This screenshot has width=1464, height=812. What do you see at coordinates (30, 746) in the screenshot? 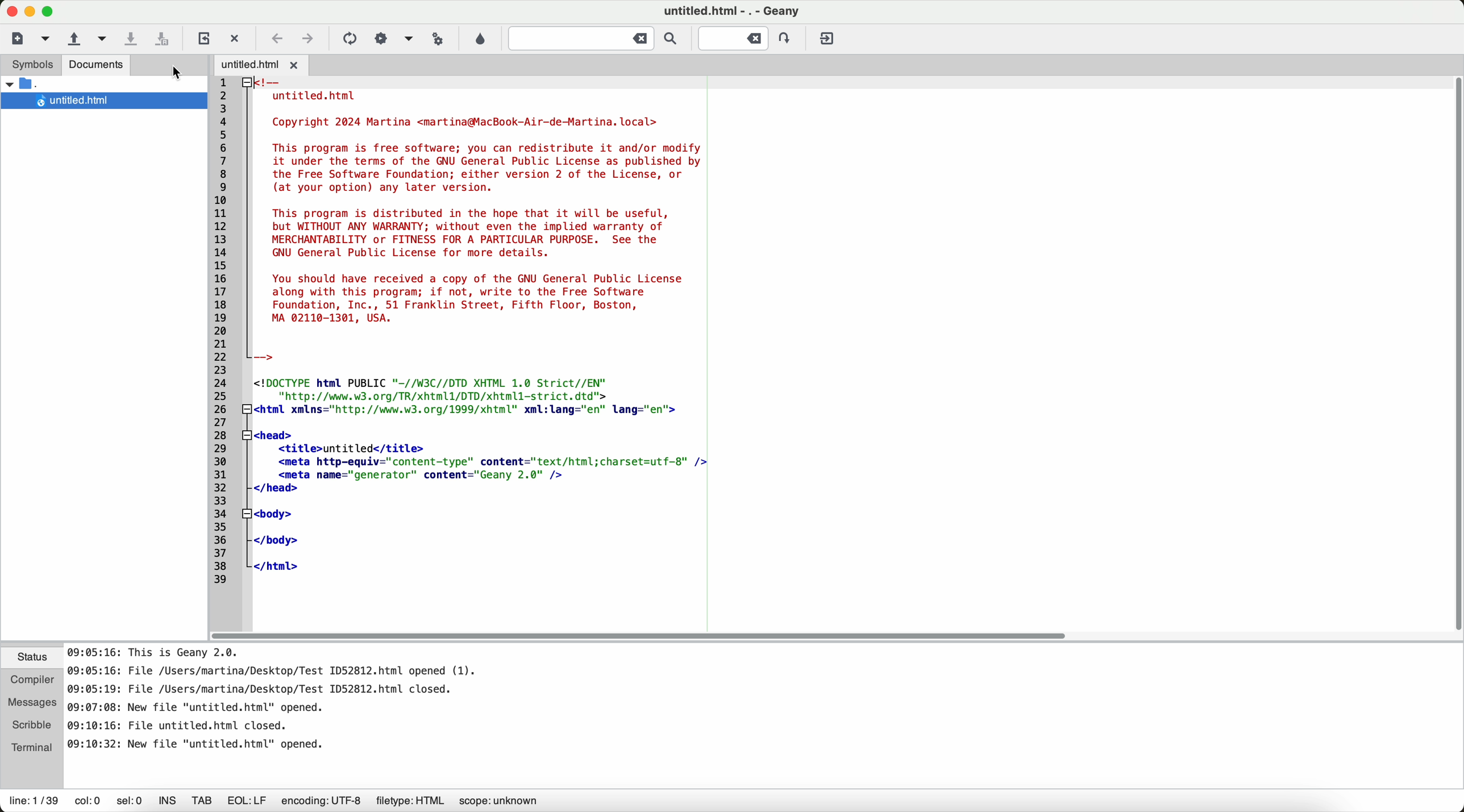
I see `terminal` at bounding box center [30, 746].